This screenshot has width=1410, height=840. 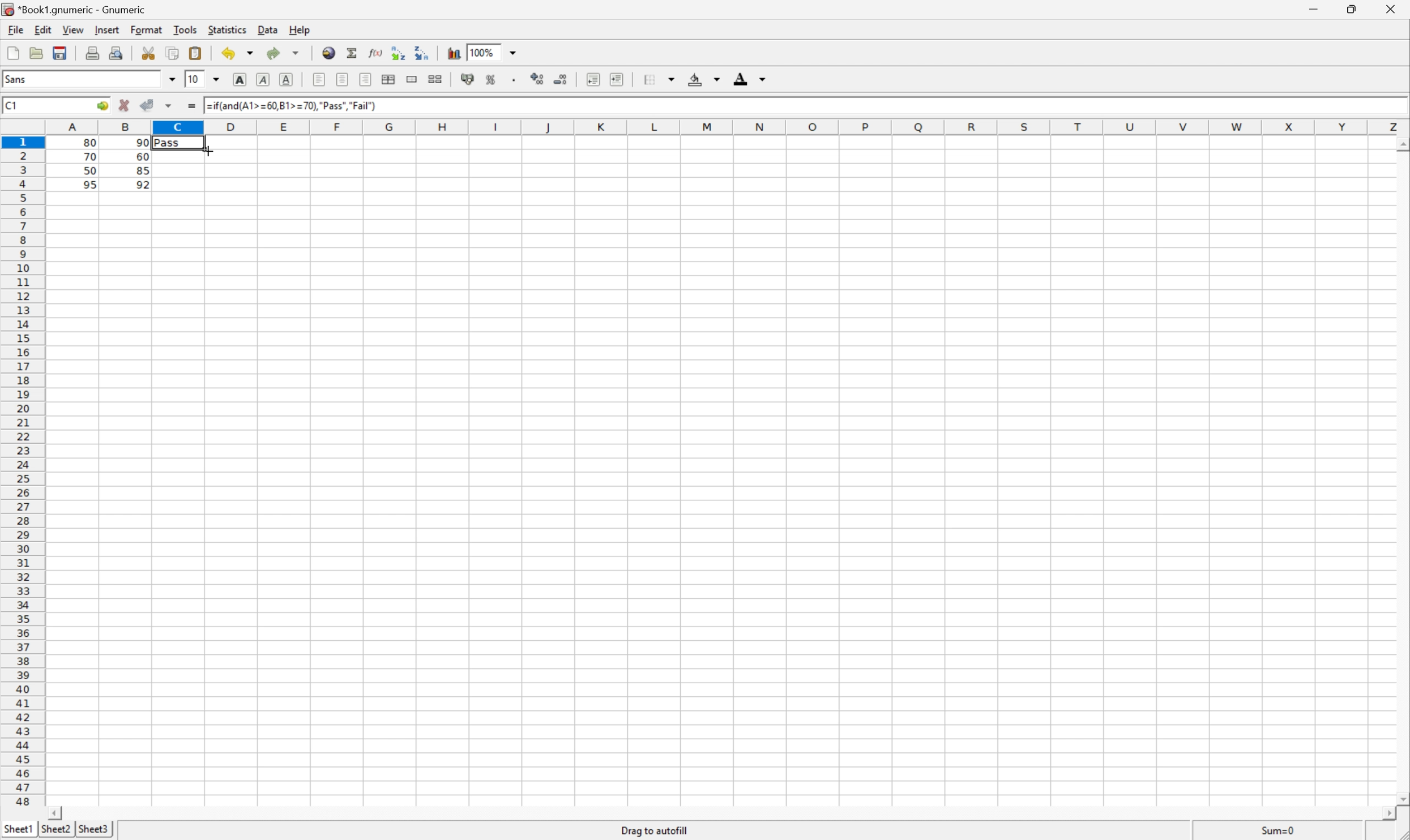 What do you see at coordinates (727, 127) in the screenshot?
I see `Column names` at bounding box center [727, 127].